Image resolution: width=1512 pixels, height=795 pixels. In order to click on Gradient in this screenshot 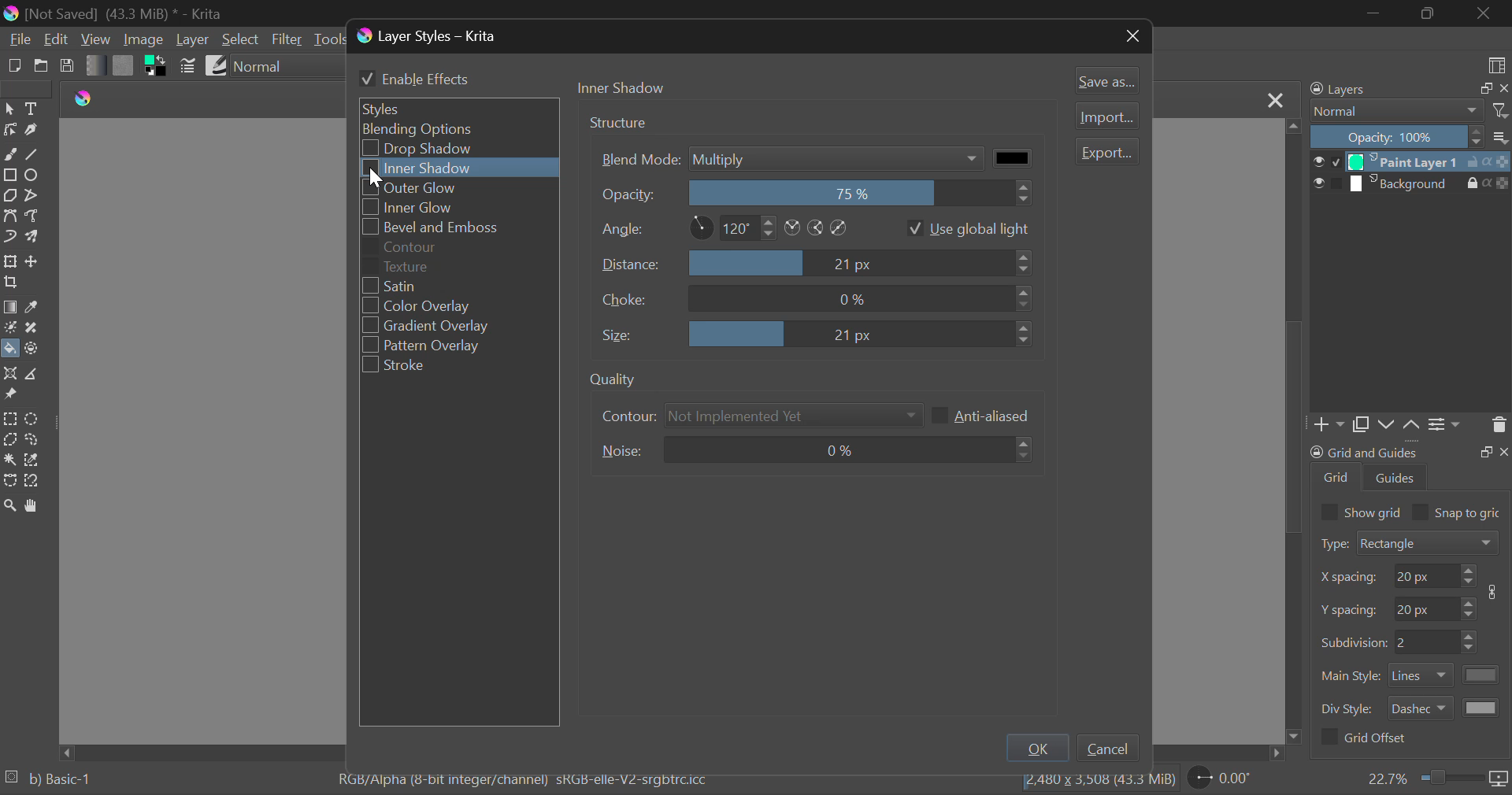, I will do `click(91, 65)`.